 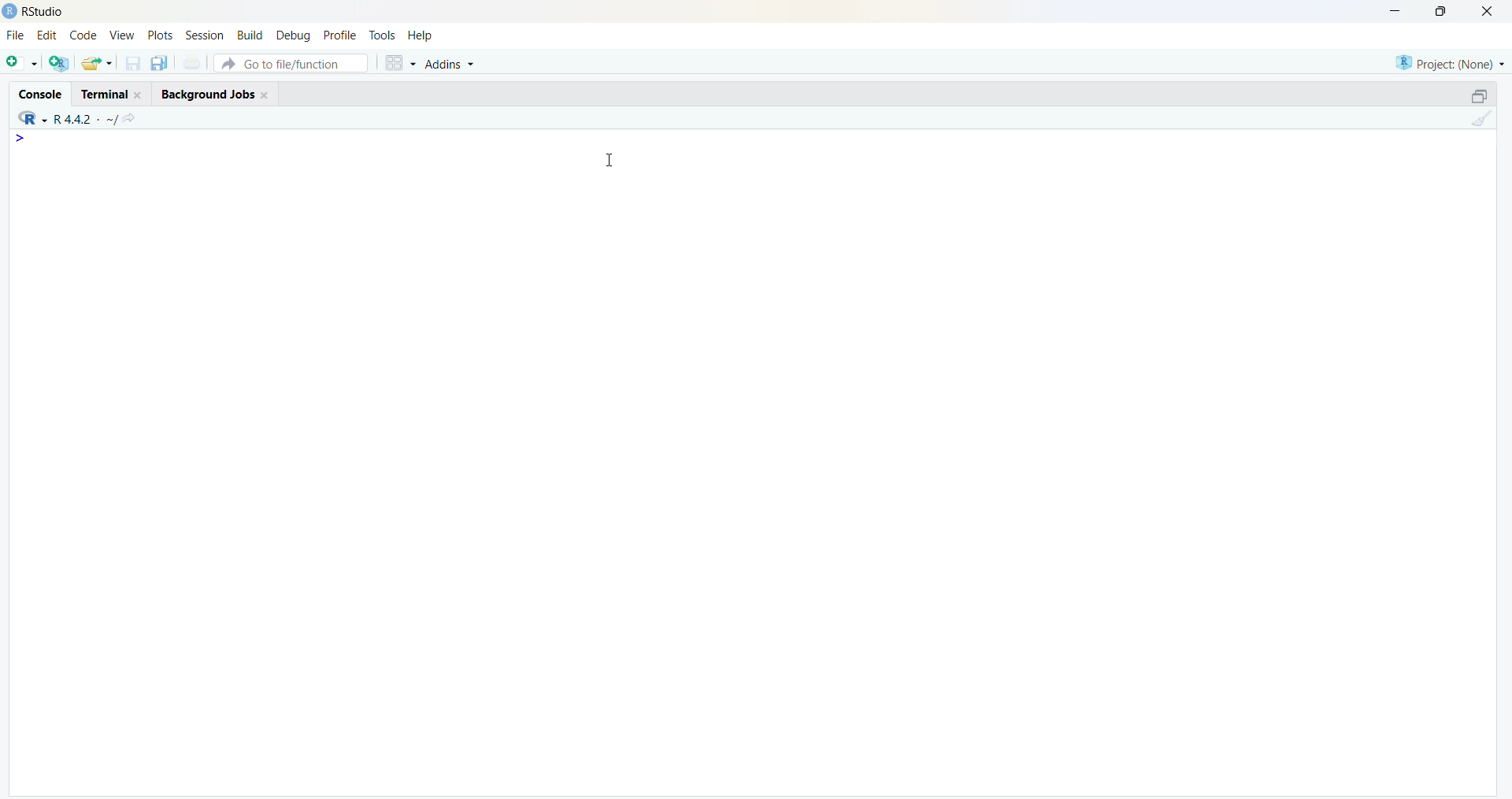 I want to click on Addins, so click(x=450, y=63).